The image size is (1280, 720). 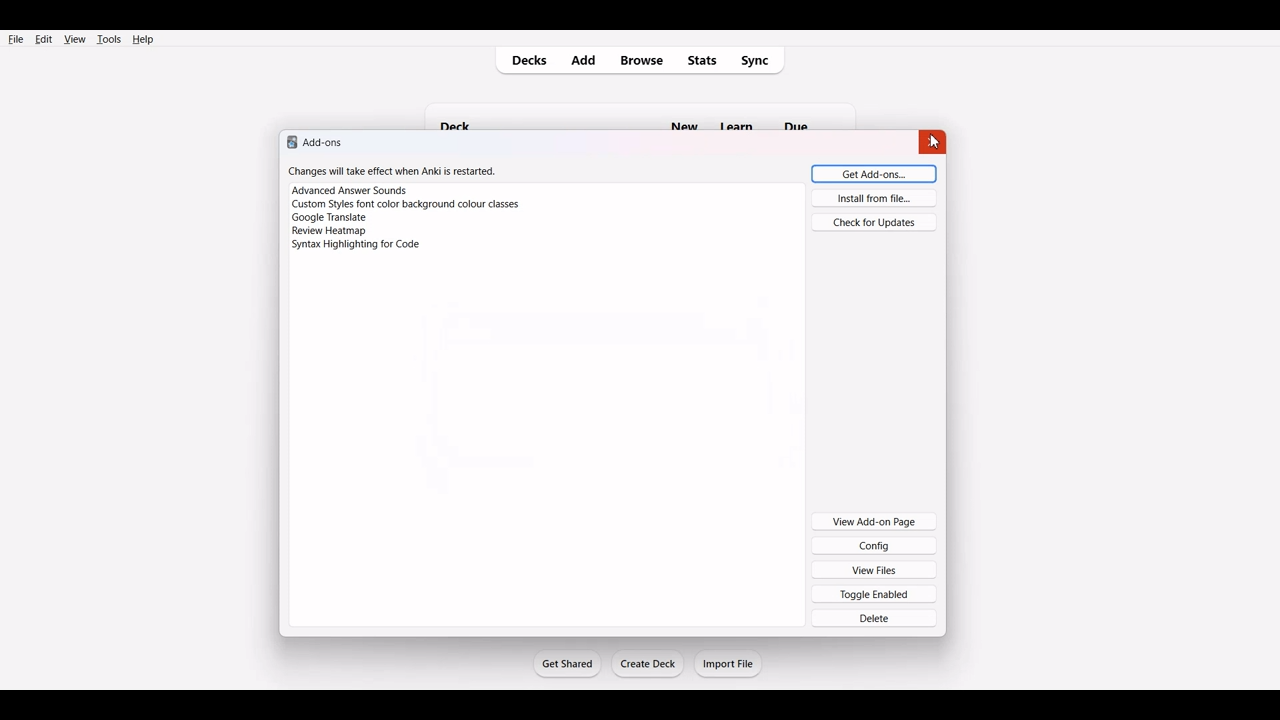 What do you see at coordinates (870, 173) in the screenshot?
I see `Get Add-ons` at bounding box center [870, 173].